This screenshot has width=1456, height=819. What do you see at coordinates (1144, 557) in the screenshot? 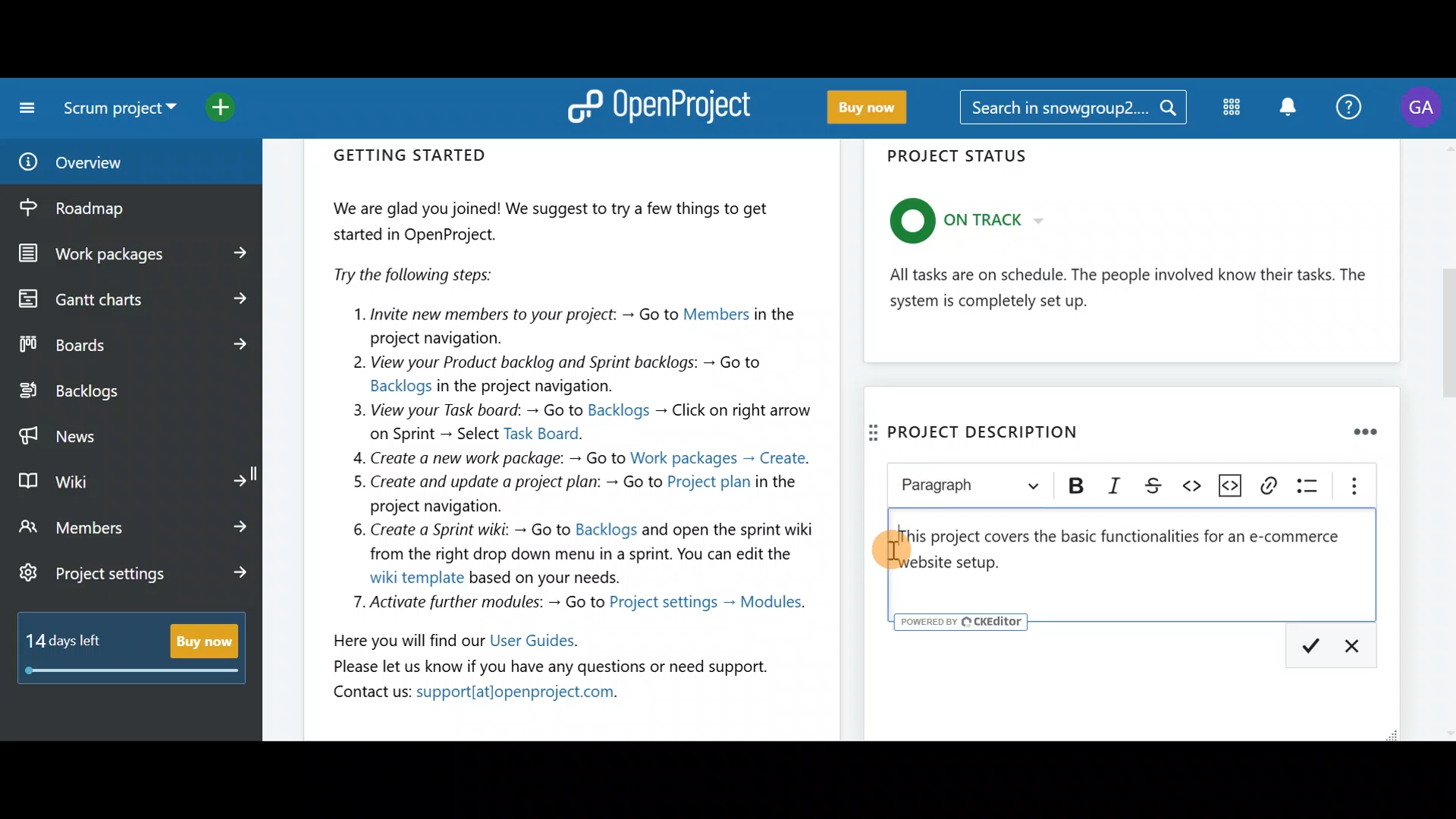
I see `Text editor` at bounding box center [1144, 557].